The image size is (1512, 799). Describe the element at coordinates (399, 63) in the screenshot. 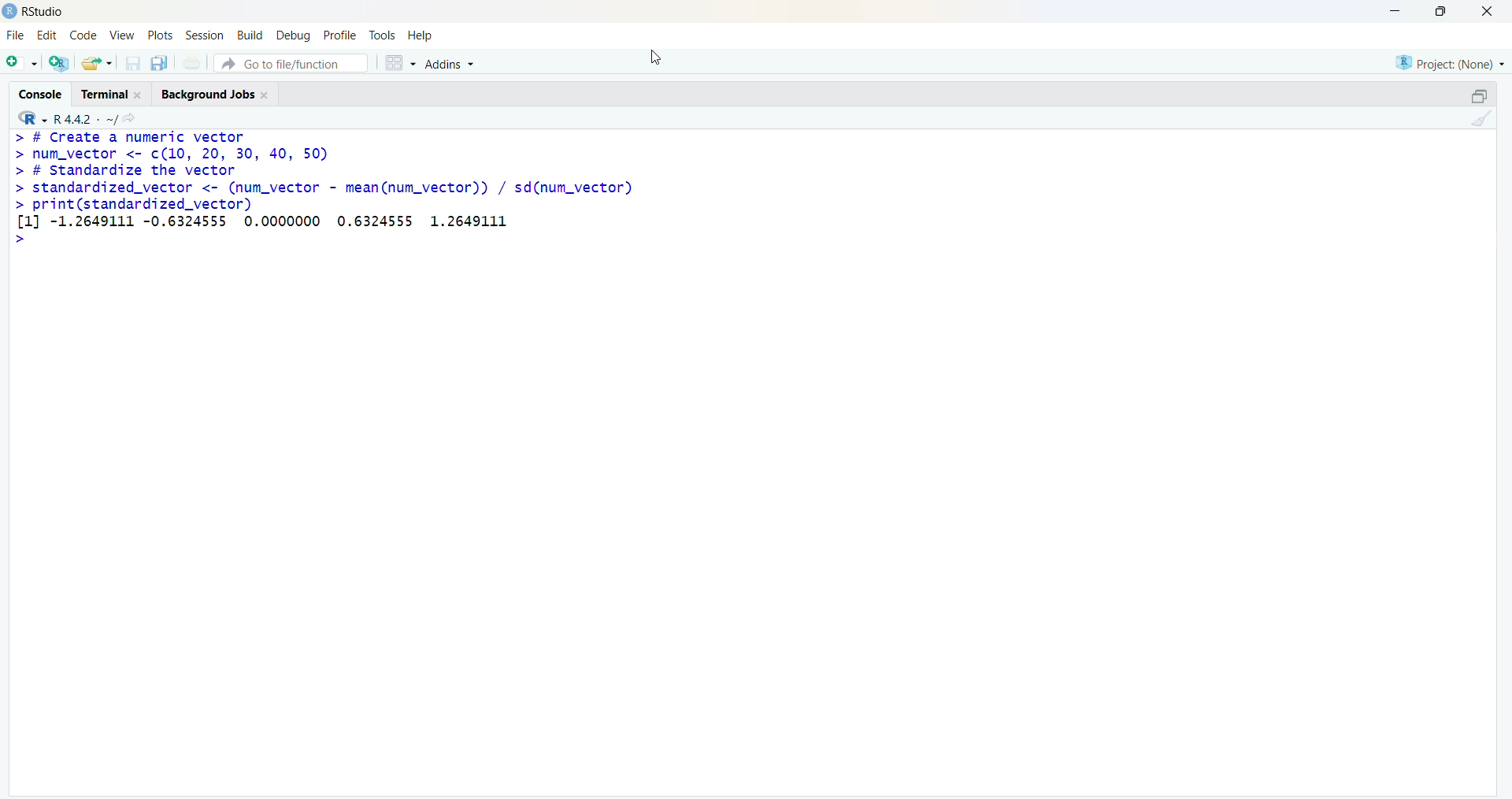

I see `grid` at that location.